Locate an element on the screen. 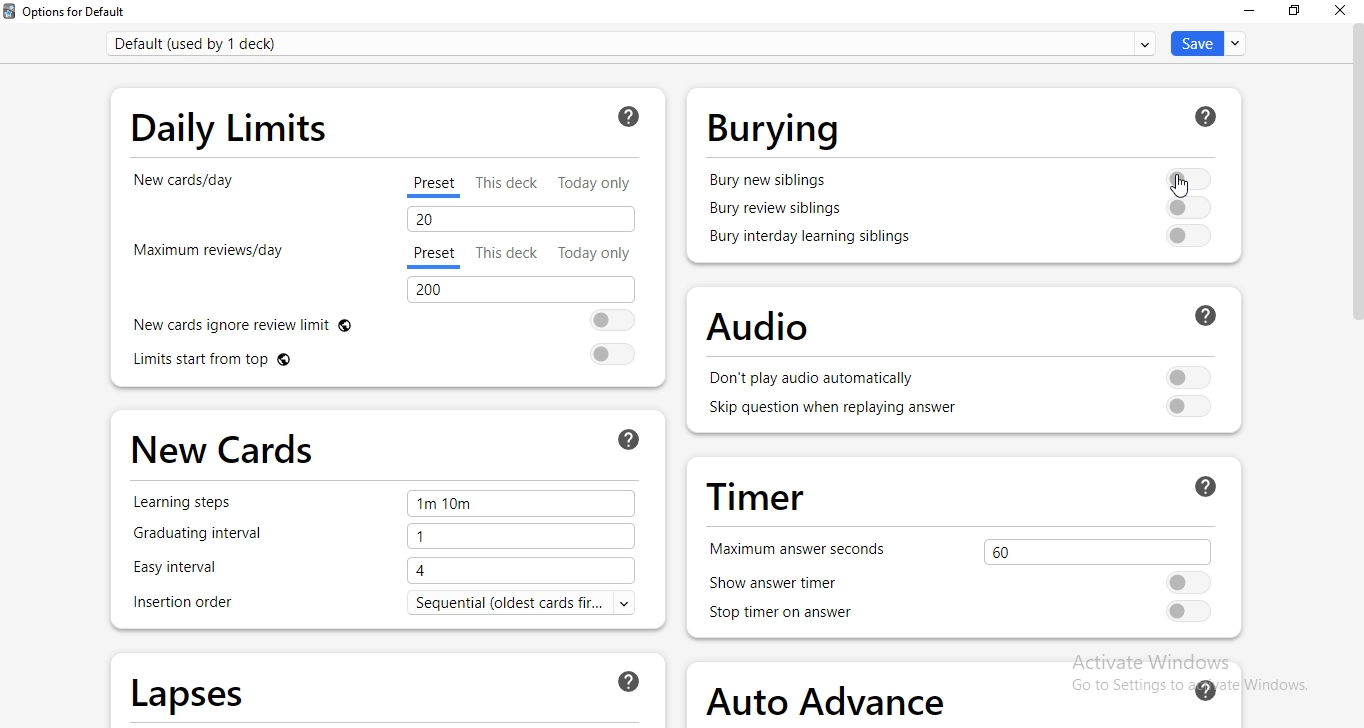 The height and width of the screenshot is (728, 1364). ask is located at coordinates (631, 437).